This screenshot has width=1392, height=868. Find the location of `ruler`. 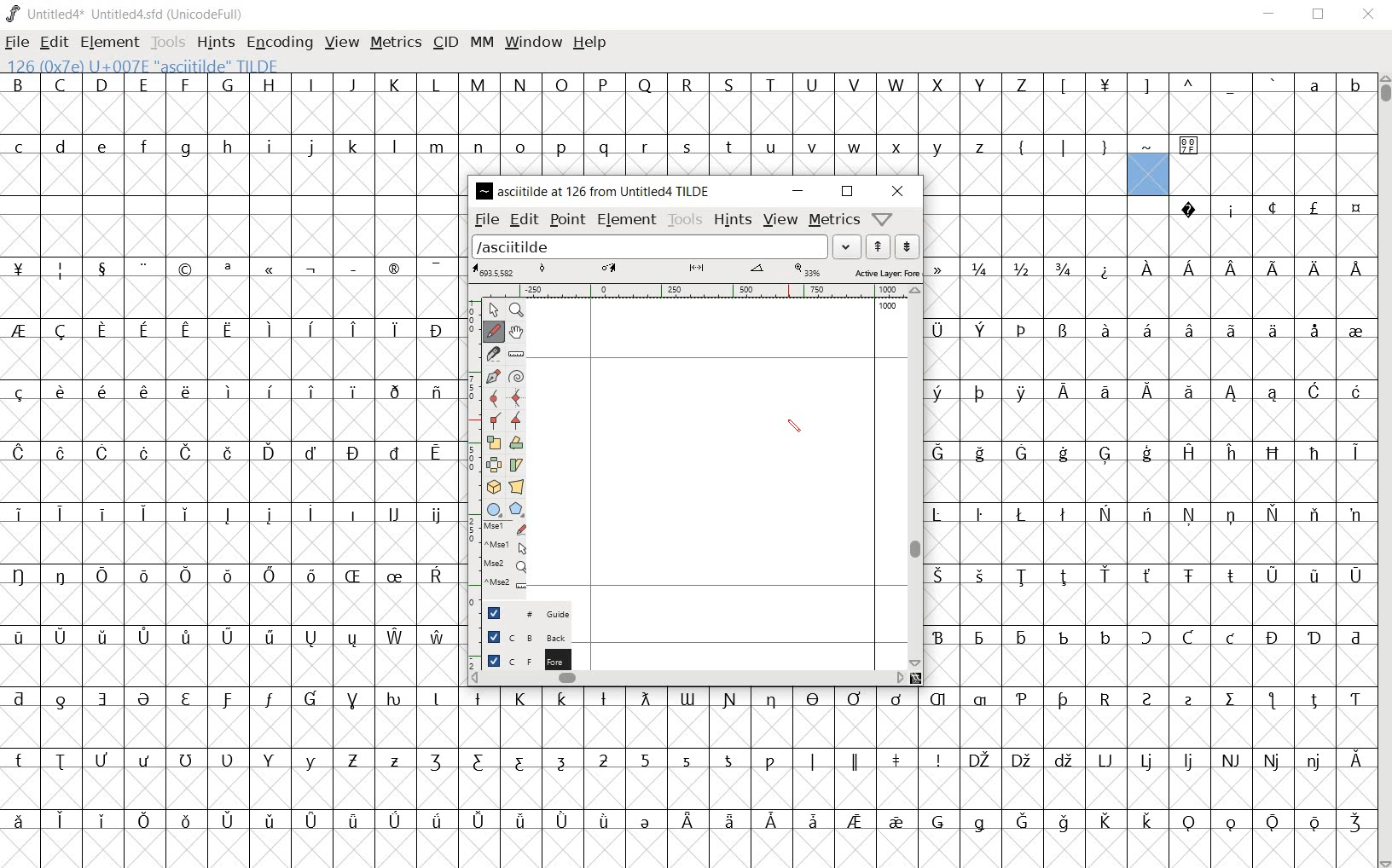

ruler is located at coordinates (710, 291).